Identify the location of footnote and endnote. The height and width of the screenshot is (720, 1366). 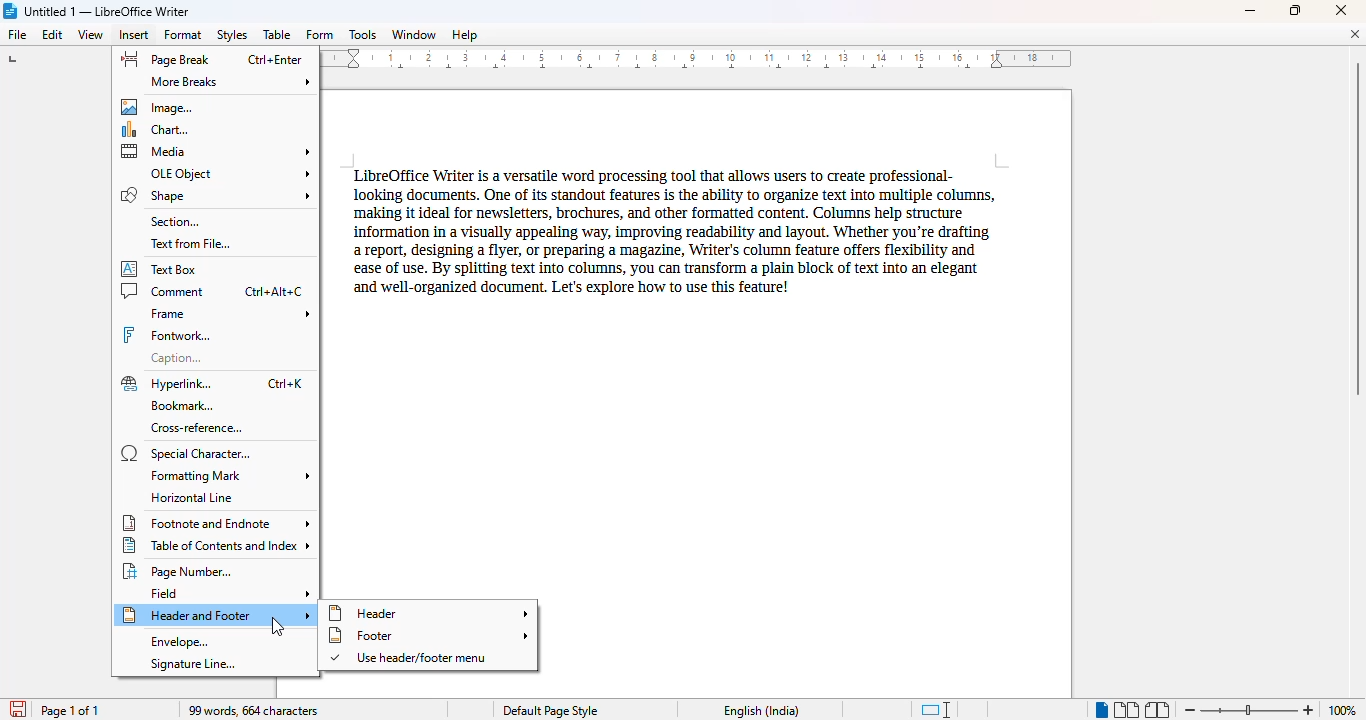
(216, 523).